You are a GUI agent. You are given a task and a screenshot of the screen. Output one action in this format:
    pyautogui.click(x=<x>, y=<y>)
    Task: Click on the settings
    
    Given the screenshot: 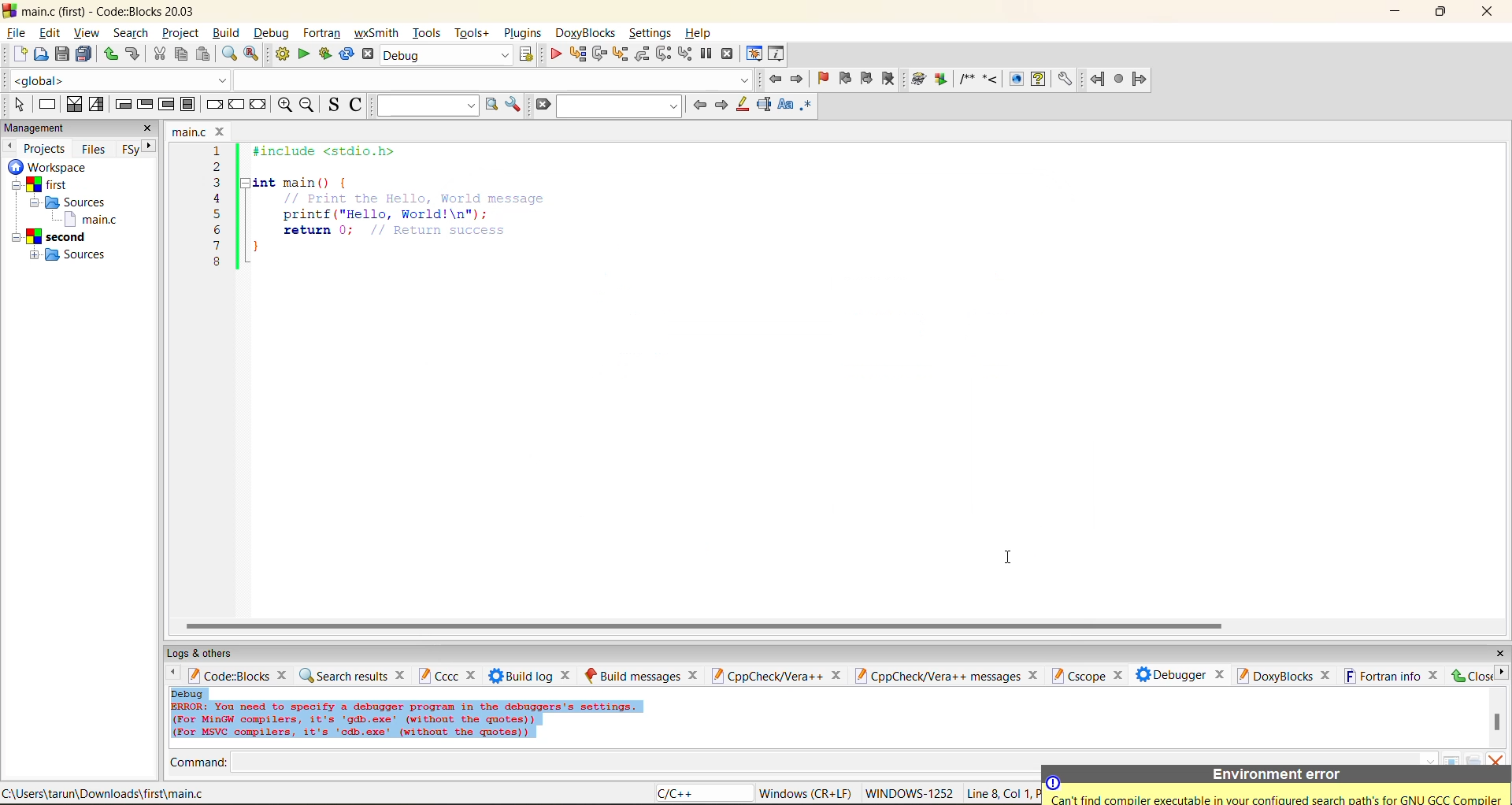 What is the action you would take?
    pyautogui.click(x=1064, y=80)
    